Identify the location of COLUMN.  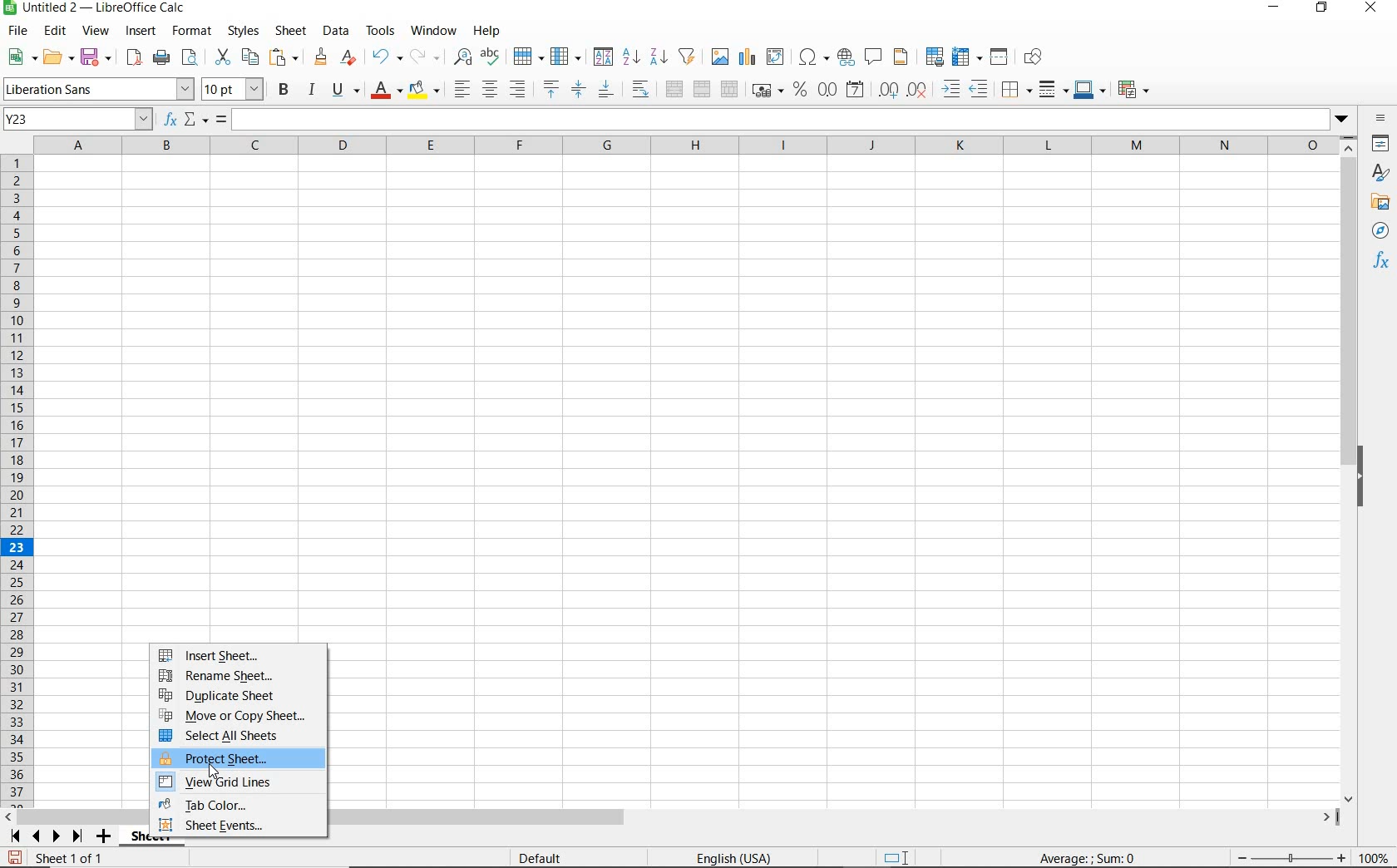
(568, 57).